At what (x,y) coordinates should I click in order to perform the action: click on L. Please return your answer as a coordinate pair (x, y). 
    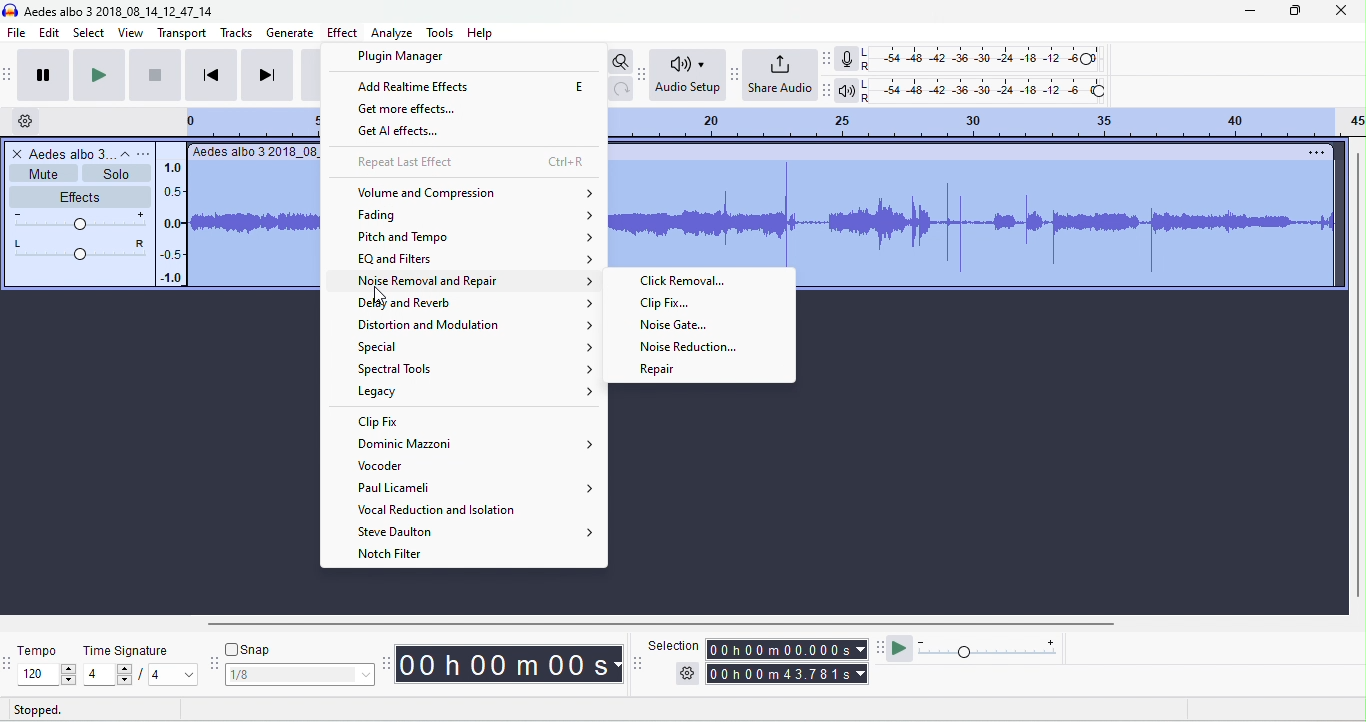
    Looking at the image, I should click on (866, 52).